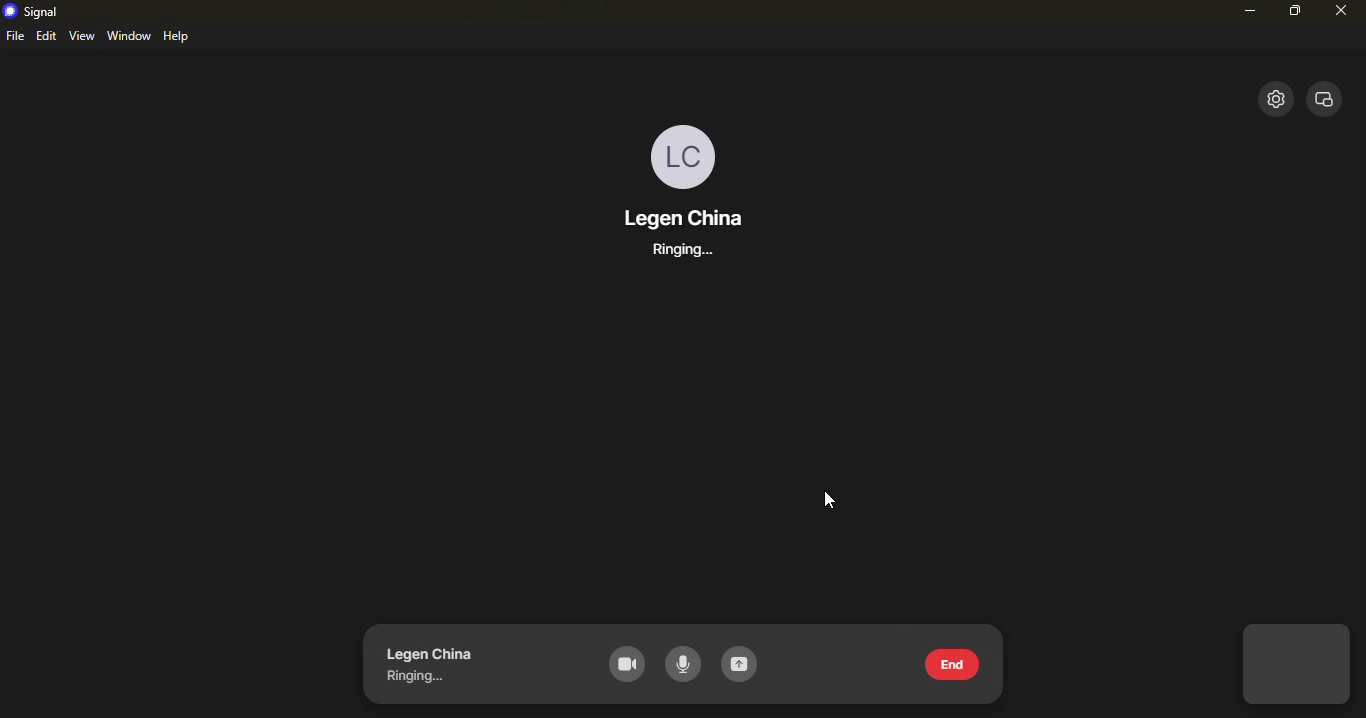  I want to click on cursor, so click(829, 497).